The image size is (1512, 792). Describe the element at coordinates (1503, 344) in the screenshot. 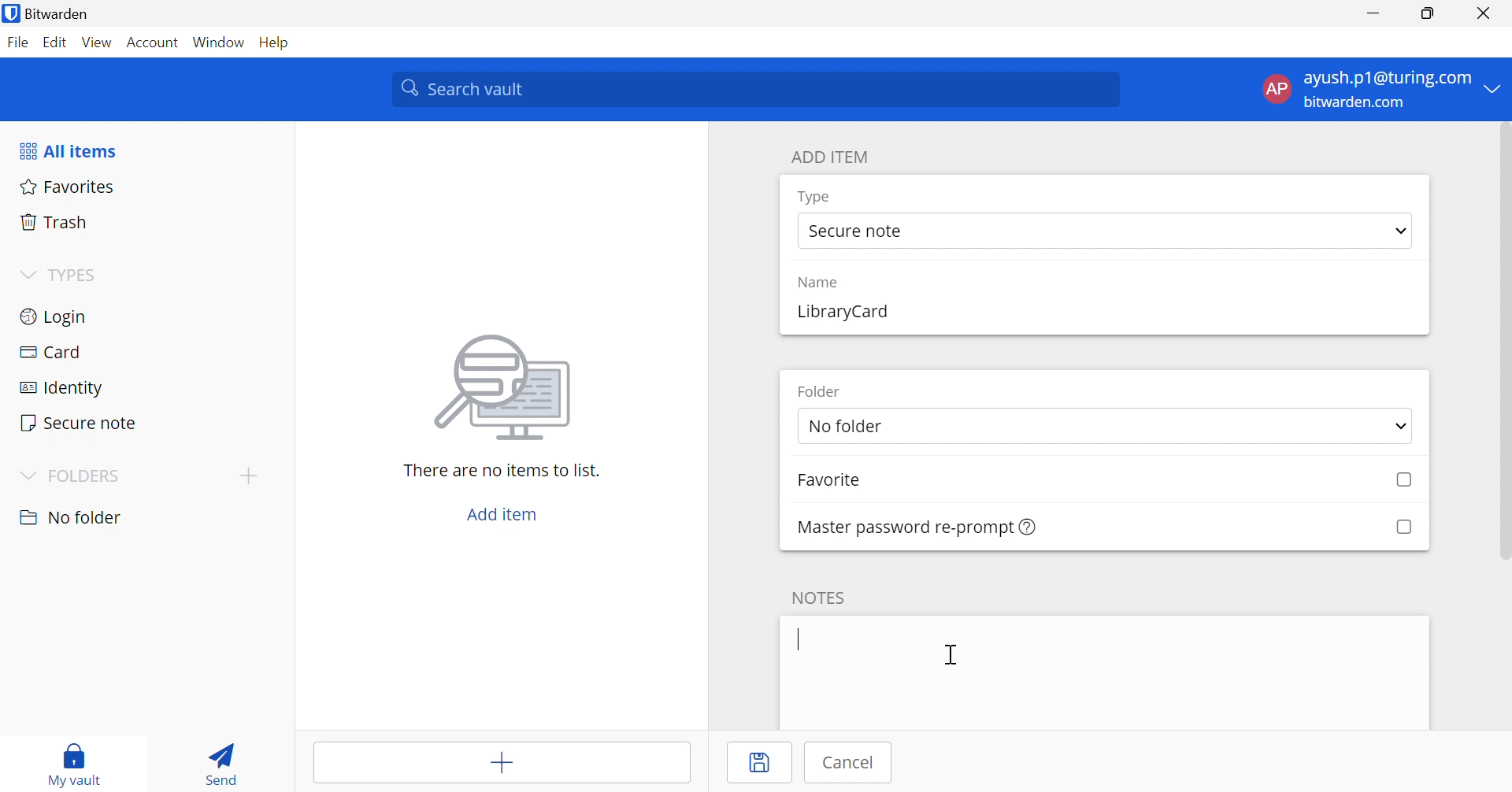

I see `Scroll Bar` at that location.